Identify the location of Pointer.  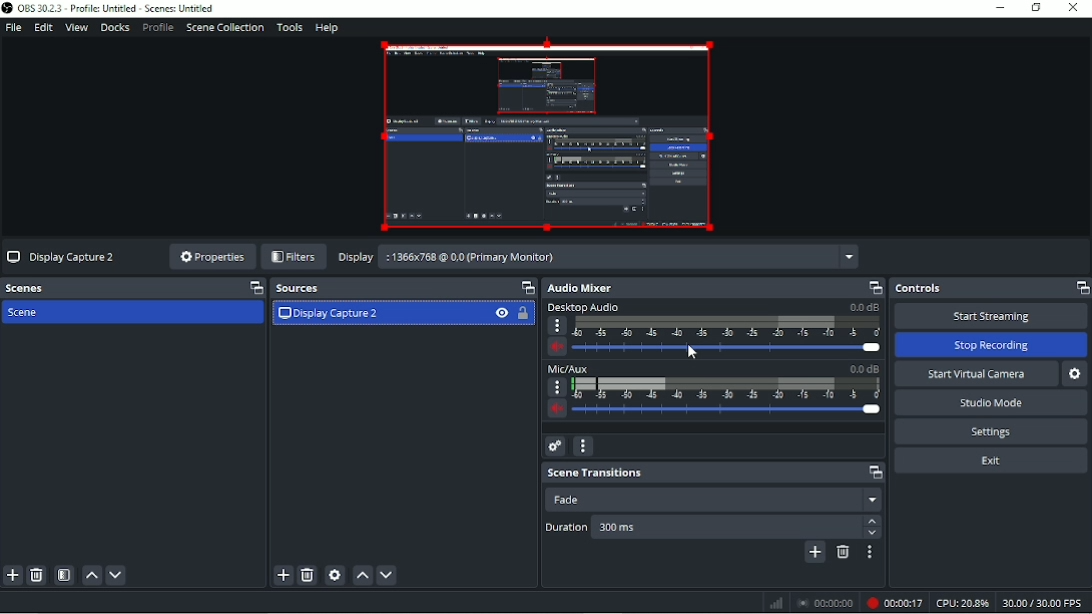
(693, 351).